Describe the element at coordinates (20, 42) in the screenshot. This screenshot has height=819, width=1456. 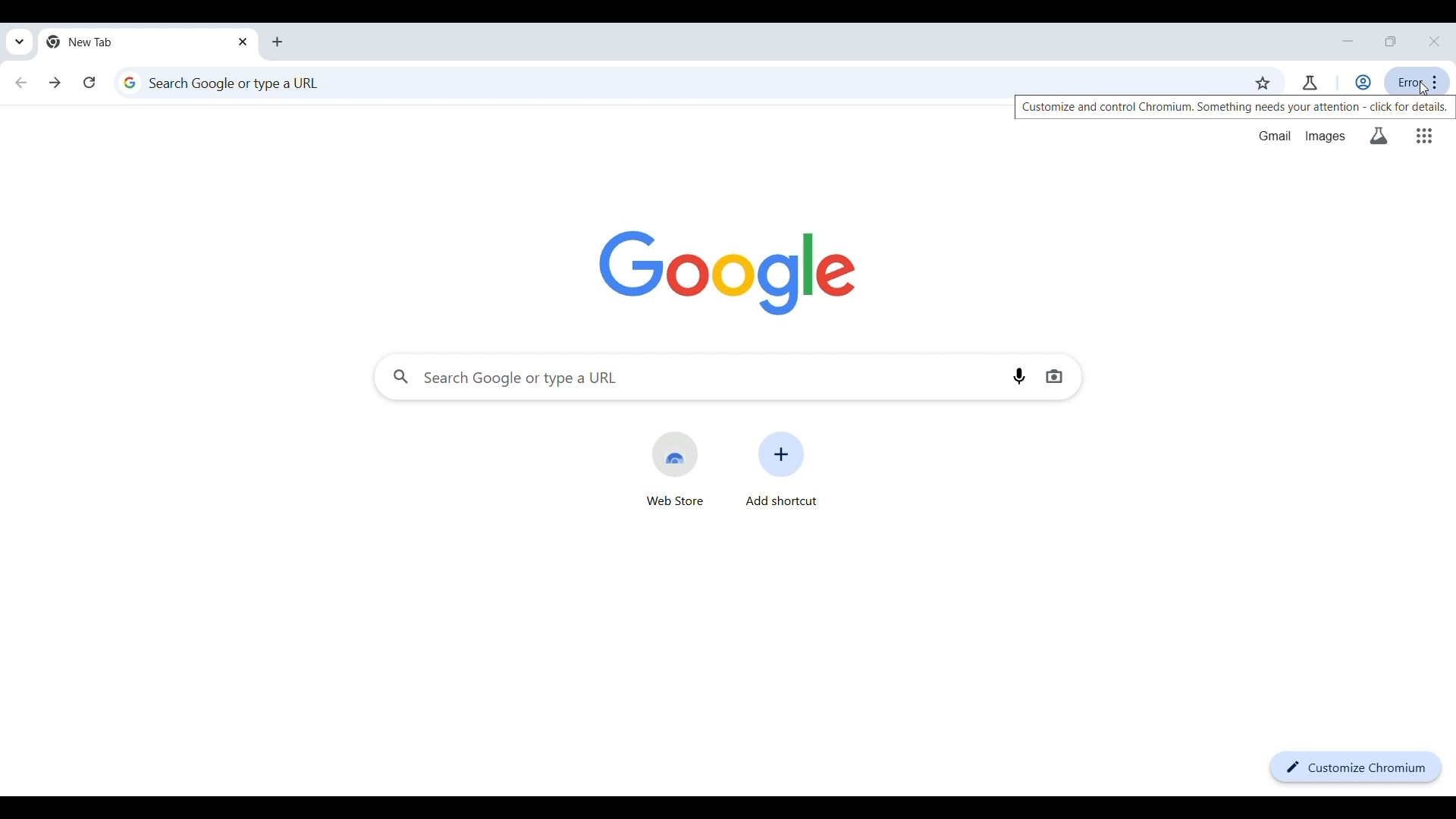
I see `Search tabs` at that location.